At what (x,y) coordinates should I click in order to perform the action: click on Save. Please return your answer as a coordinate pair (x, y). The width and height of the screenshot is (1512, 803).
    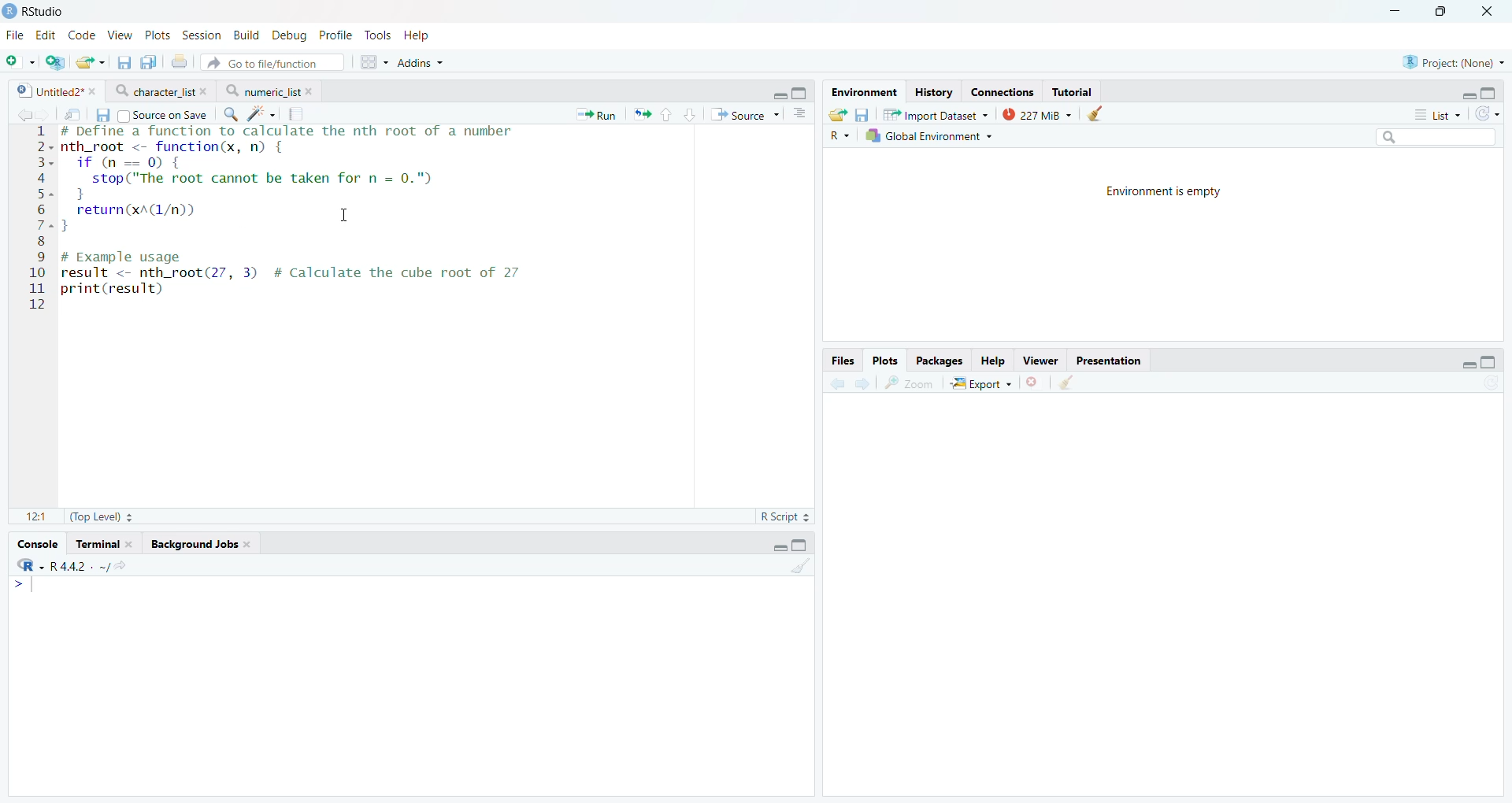
    Looking at the image, I should click on (104, 116).